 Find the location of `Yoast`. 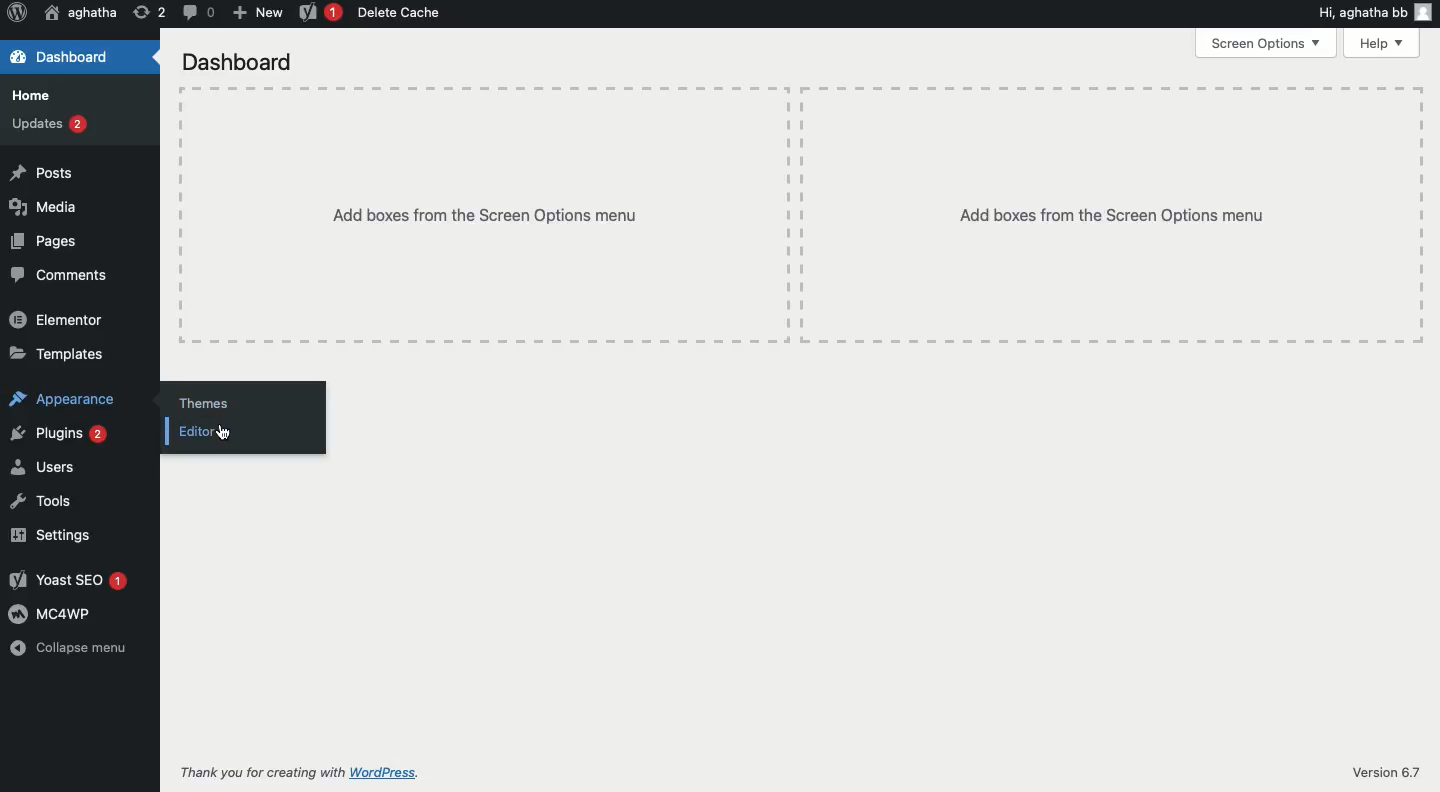

Yoast is located at coordinates (321, 13).